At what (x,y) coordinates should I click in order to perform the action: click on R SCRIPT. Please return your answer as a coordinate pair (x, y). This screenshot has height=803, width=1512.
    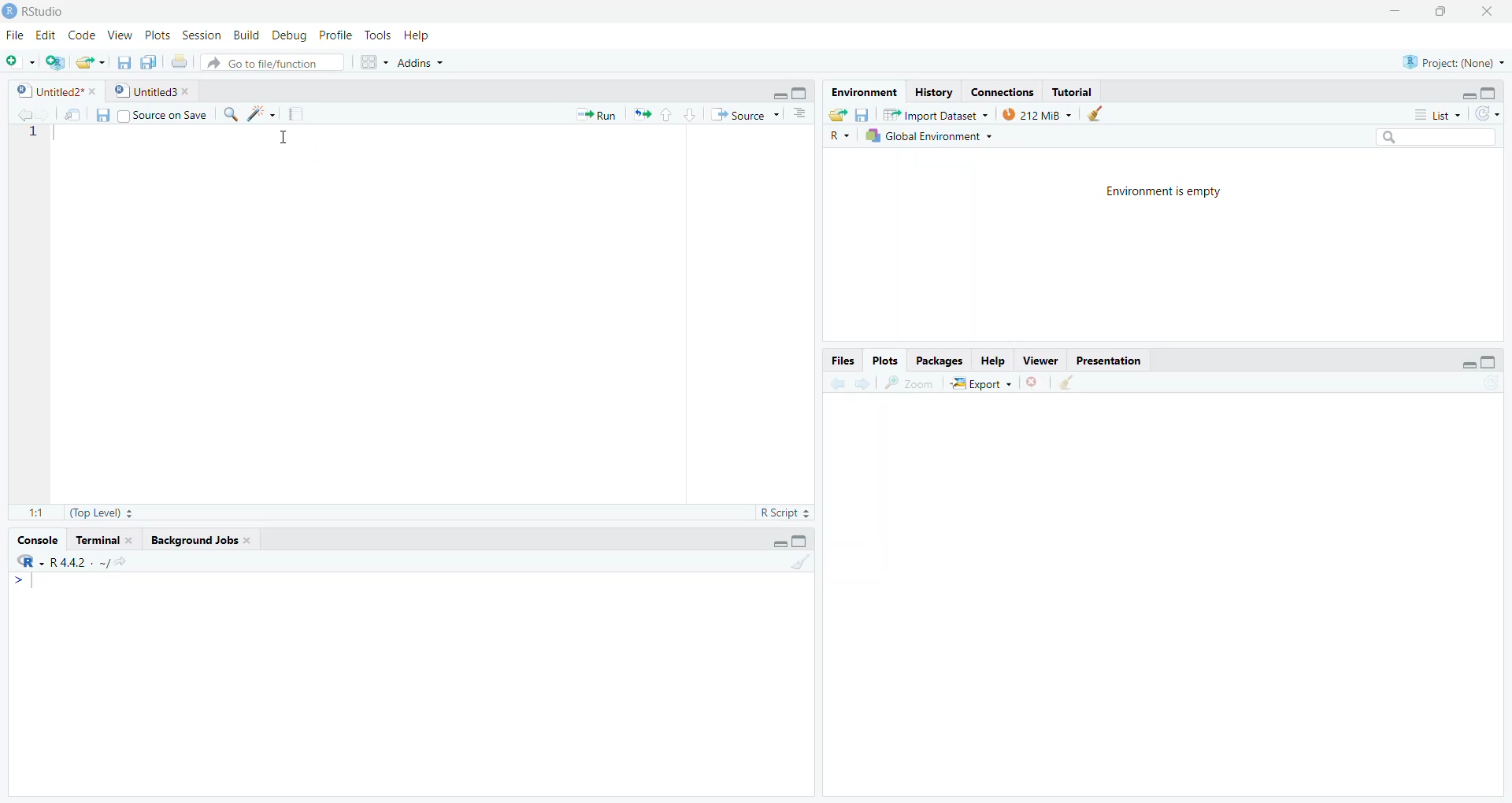
    Looking at the image, I should click on (782, 512).